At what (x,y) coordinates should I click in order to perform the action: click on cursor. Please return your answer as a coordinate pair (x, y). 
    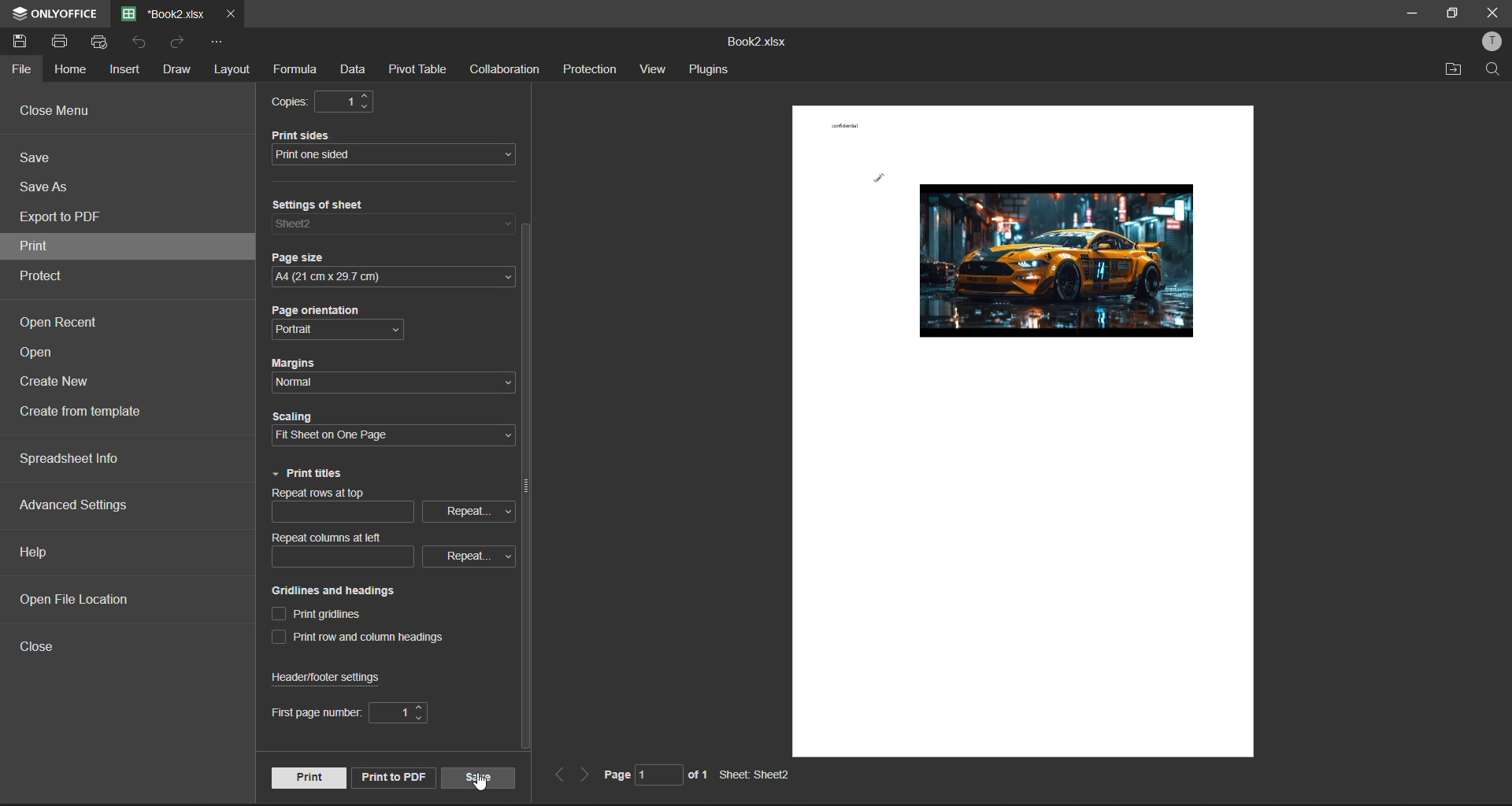
    Looking at the image, I should click on (480, 782).